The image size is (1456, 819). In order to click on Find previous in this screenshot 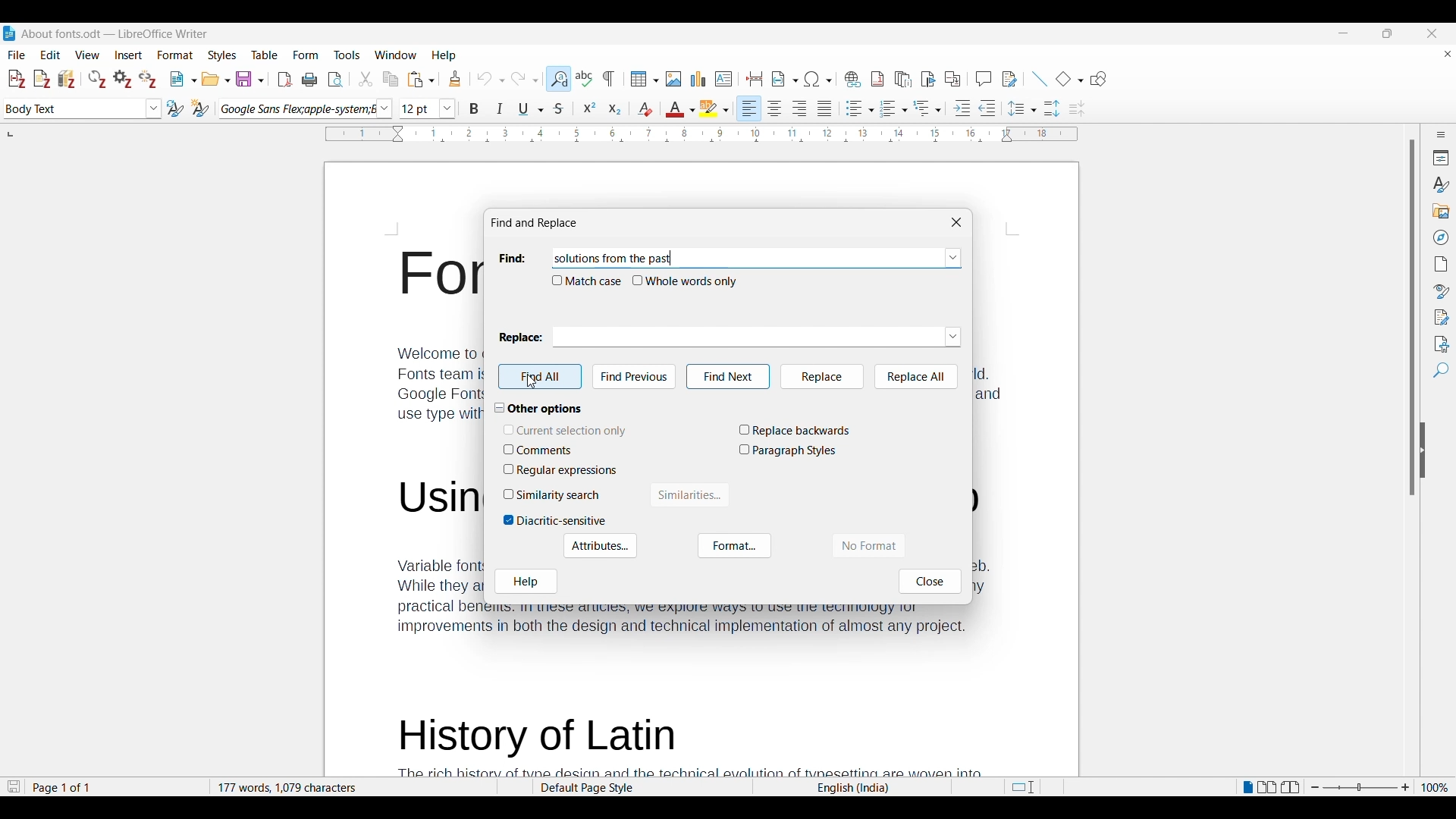, I will do `click(635, 377)`.